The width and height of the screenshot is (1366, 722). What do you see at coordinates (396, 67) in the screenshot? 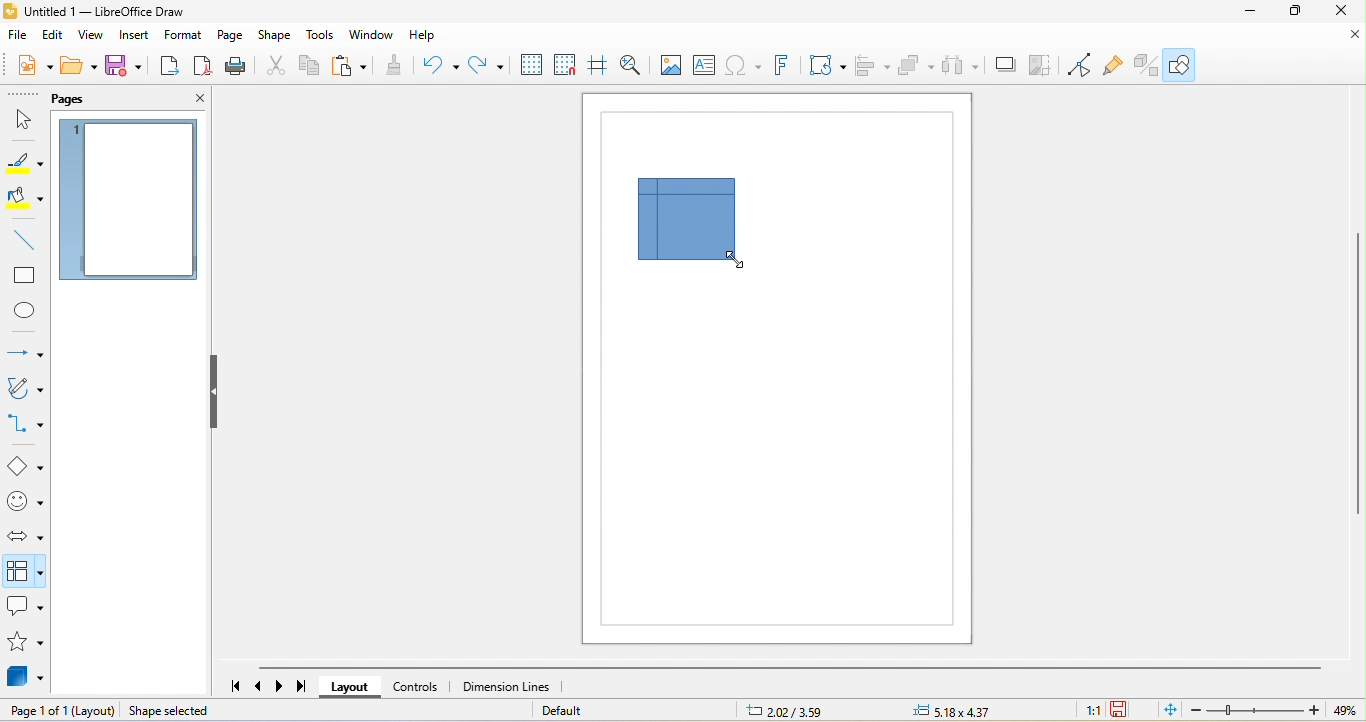
I see `clone formatting` at bounding box center [396, 67].